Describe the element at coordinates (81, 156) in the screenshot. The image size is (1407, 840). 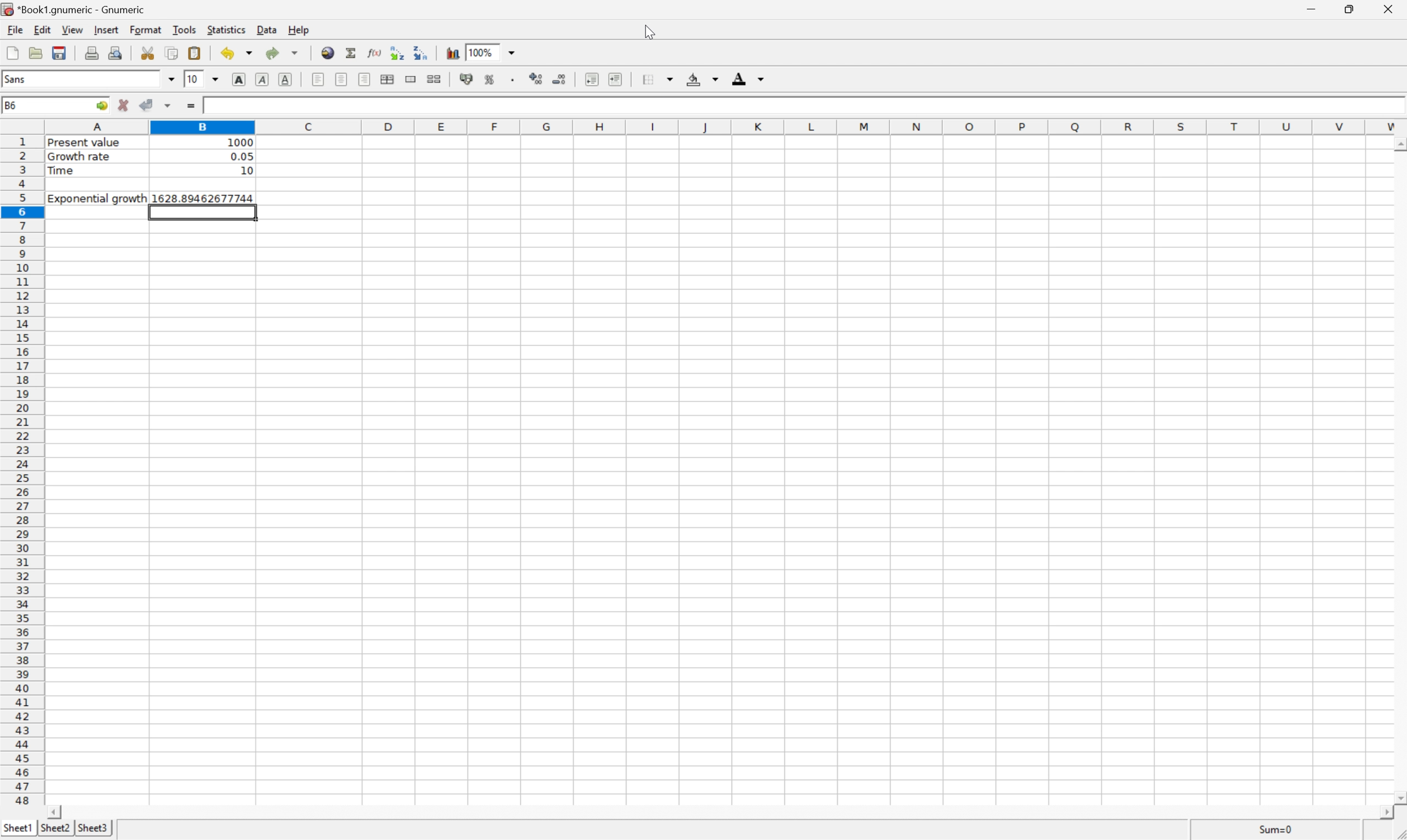
I see `Growth rate` at that location.